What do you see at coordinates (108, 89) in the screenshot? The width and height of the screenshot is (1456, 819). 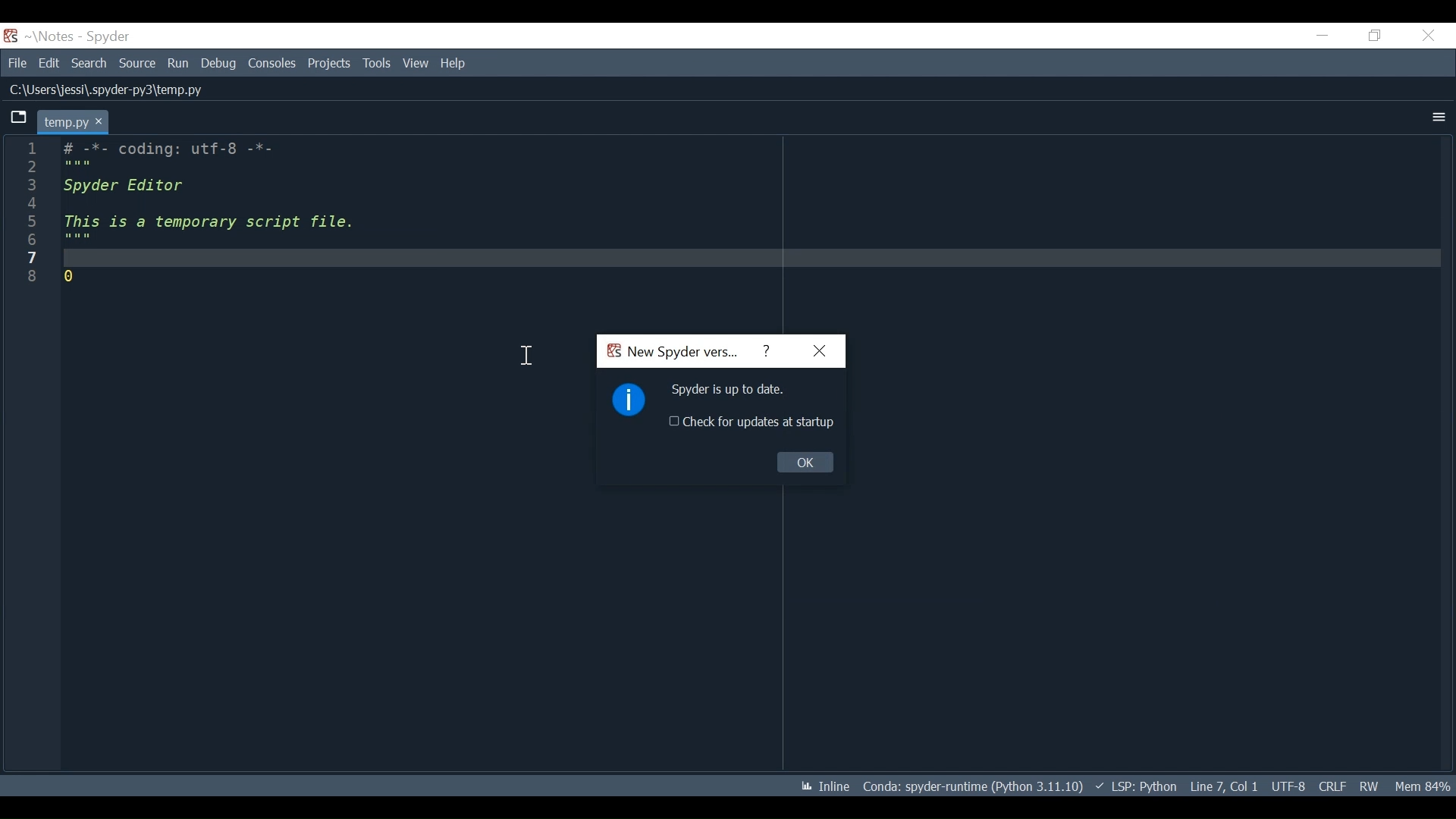 I see `C:\Users\jessi\.spyder-py3\temp.py` at bounding box center [108, 89].